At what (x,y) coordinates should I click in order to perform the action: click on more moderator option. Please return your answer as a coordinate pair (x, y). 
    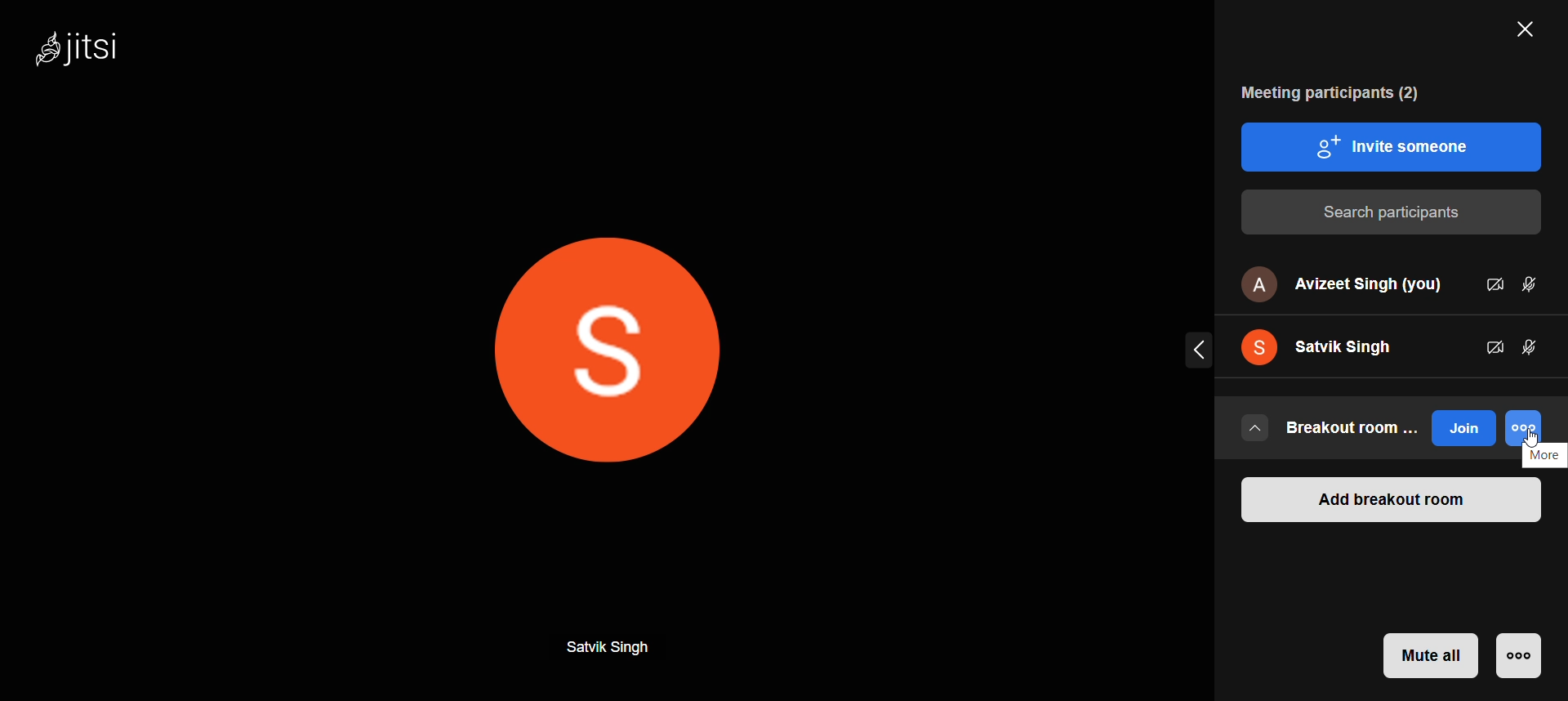
    Looking at the image, I should click on (1519, 655).